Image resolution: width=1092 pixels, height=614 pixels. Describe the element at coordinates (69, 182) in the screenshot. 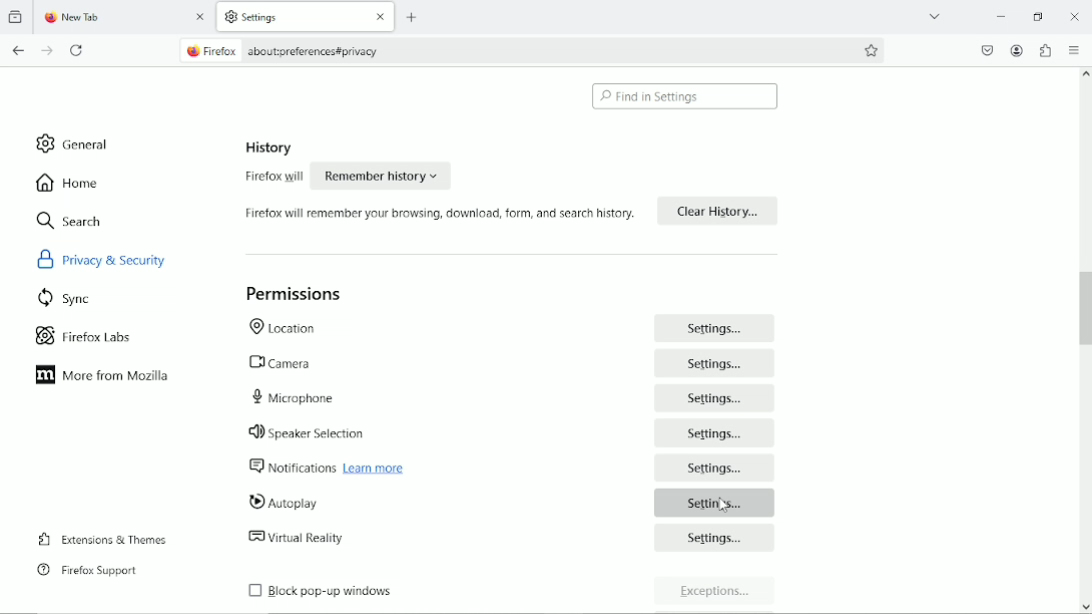

I see `home` at that location.